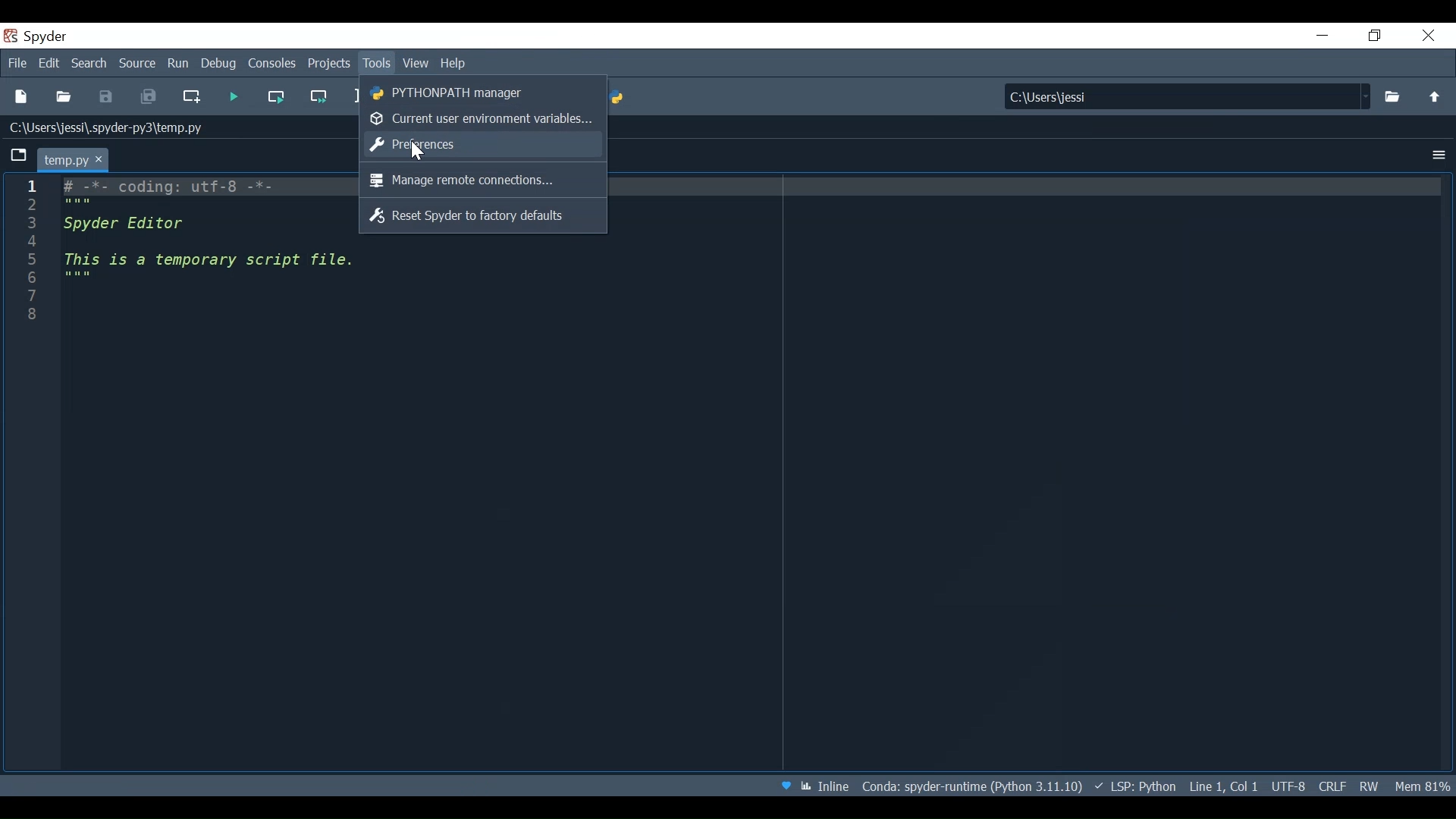  I want to click on Toggle between inline and interactive Matplotlib plotting, so click(826, 788).